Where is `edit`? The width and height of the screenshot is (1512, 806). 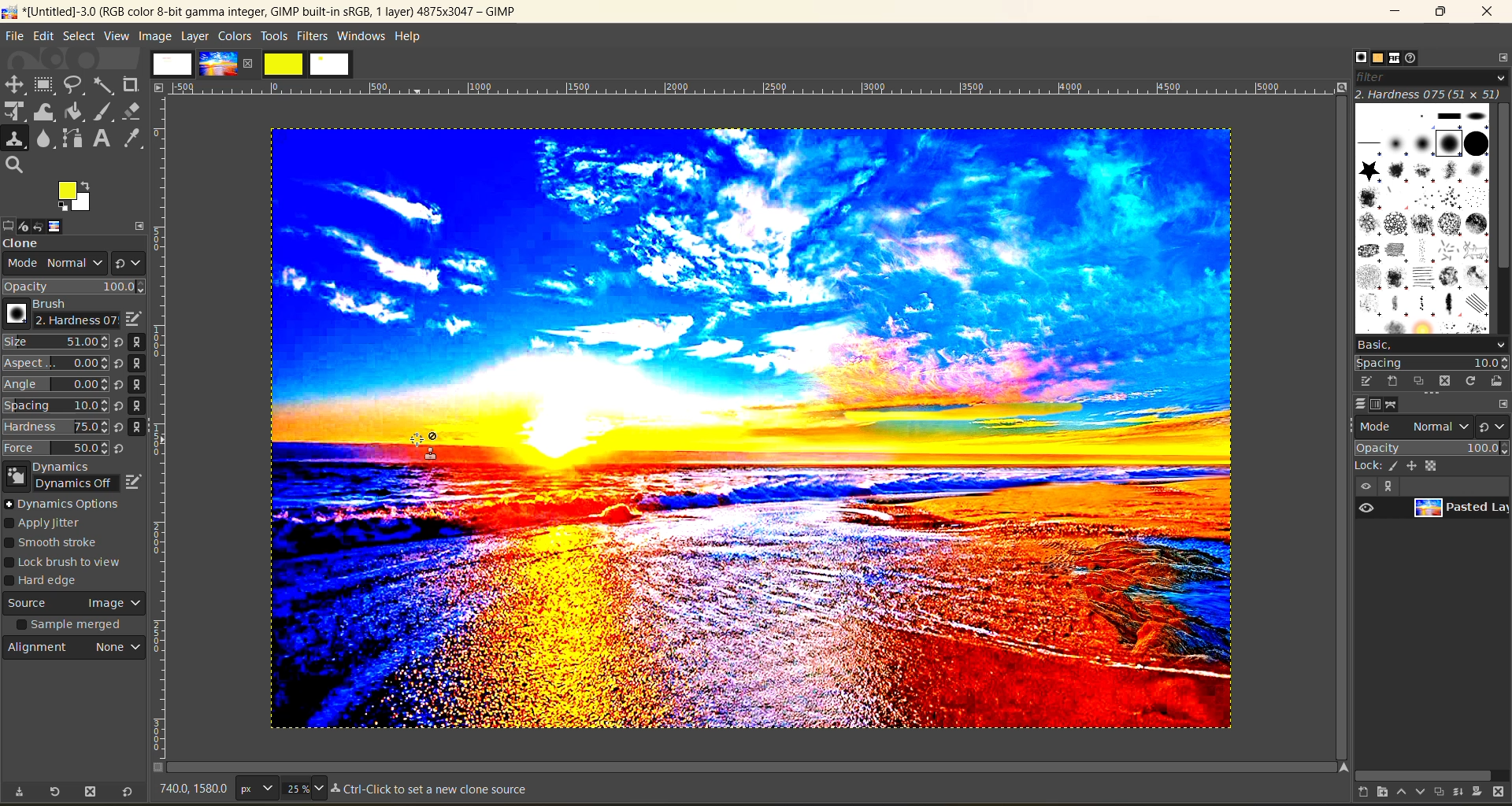 edit is located at coordinates (135, 479).